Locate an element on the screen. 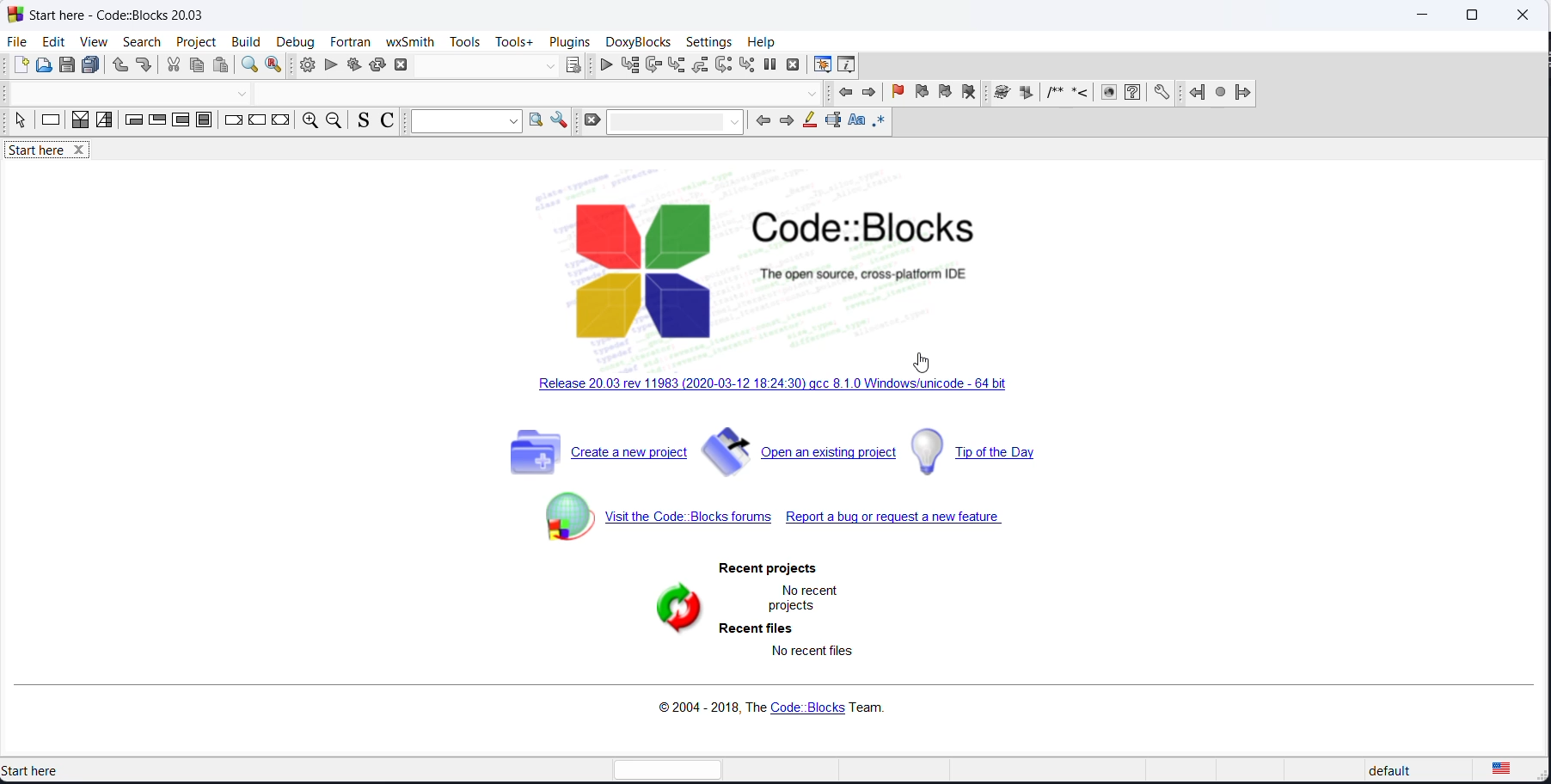 The height and width of the screenshot is (784, 1551). minimize is located at coordinates (1419, 17).